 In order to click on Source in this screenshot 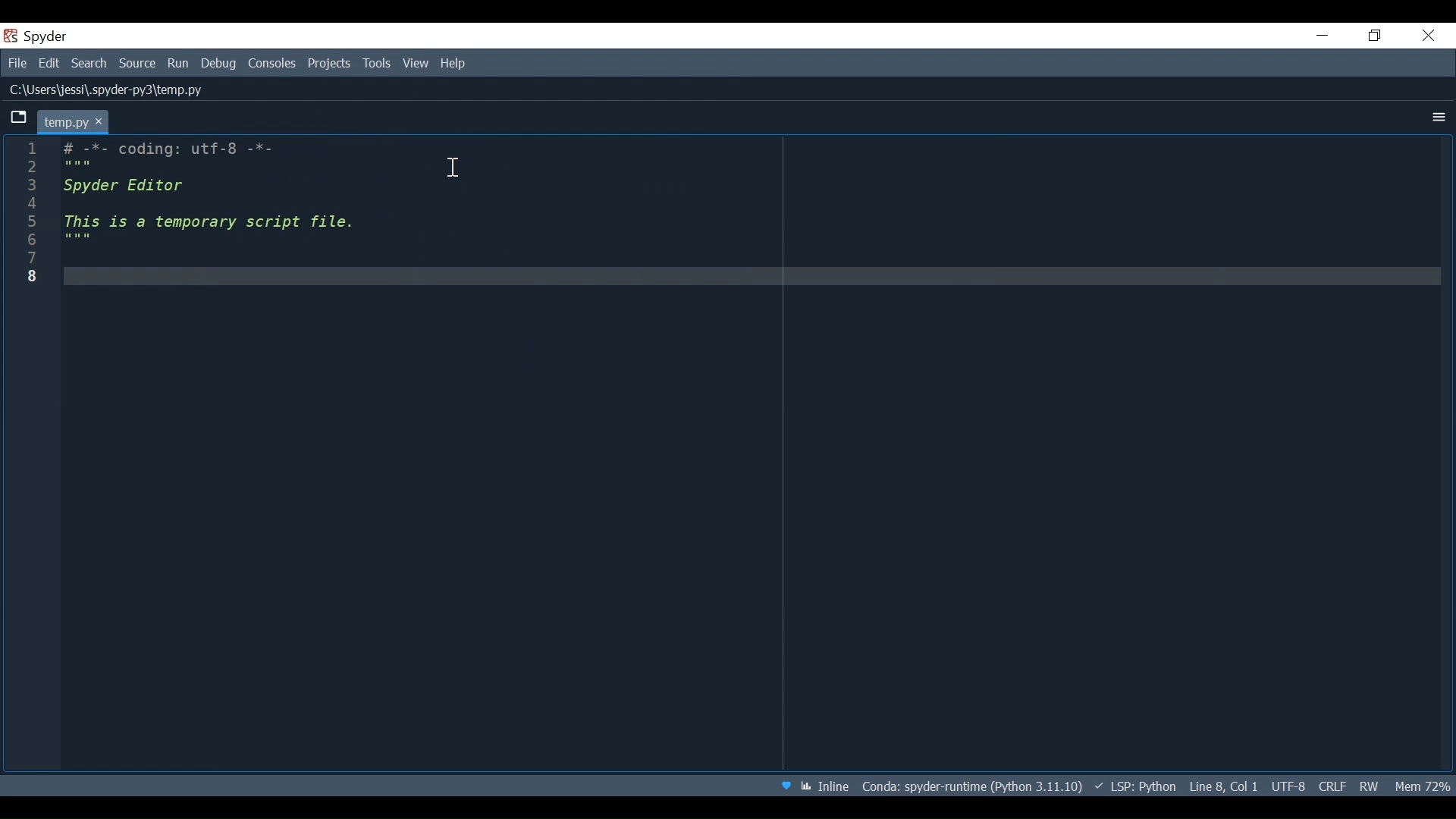, I will do `click(140, 64)`.